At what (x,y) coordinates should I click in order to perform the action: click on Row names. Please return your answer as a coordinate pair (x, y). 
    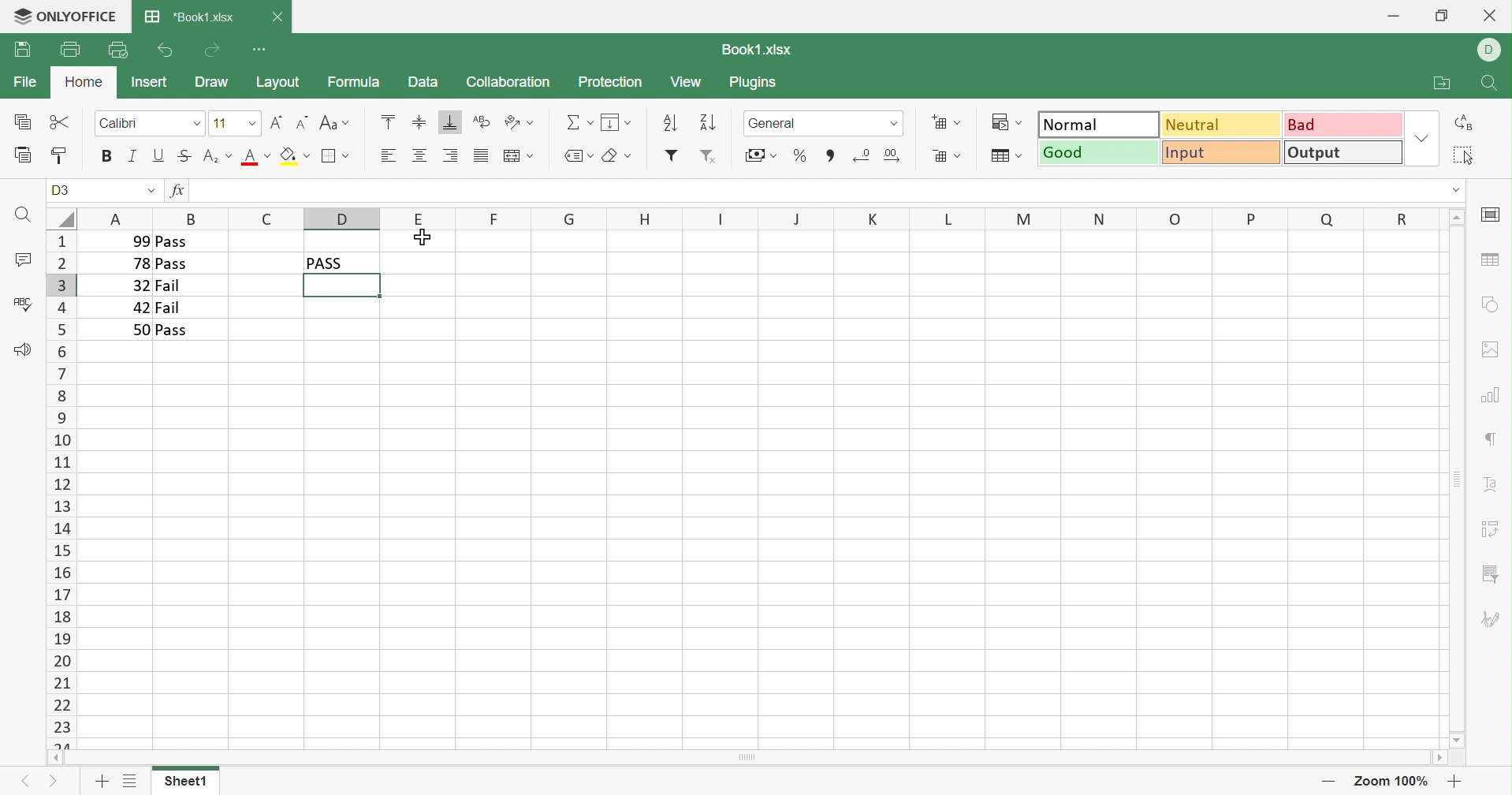
    Looking at the image, I should click on (60, 489).